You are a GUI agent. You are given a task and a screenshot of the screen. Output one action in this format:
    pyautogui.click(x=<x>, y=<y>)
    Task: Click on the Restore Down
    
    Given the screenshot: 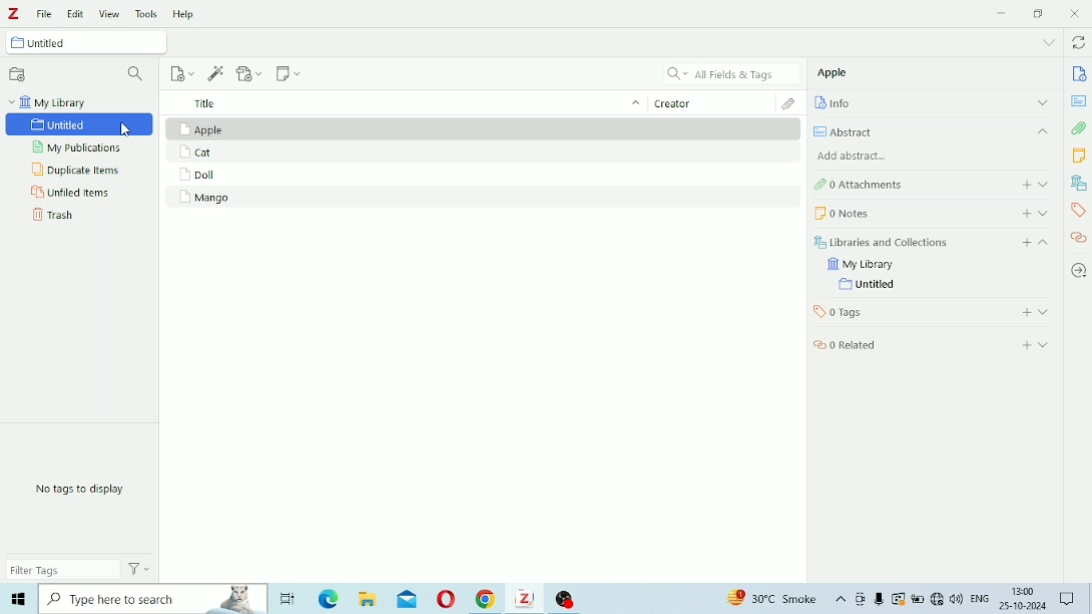 What is the action you would take?
    pyautogui.click(x=1038, y=13)
    